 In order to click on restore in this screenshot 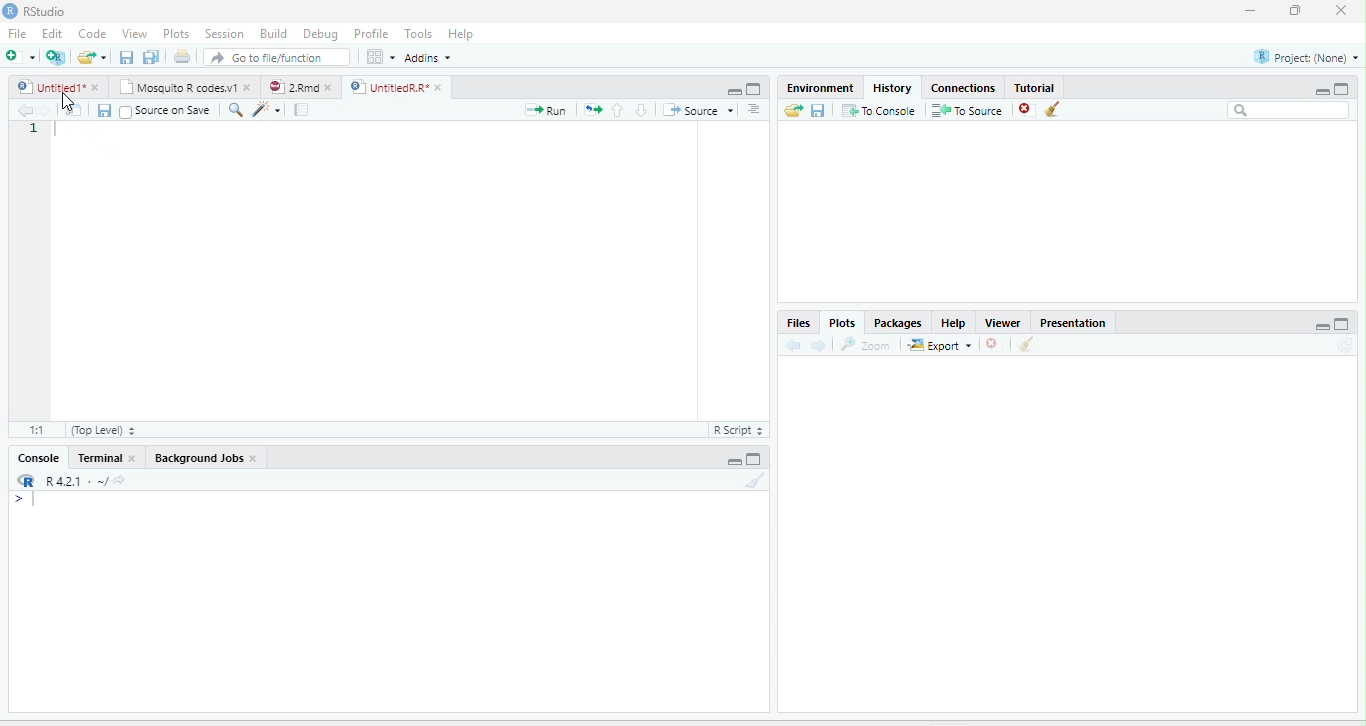, I will do `click(1296, 11)`.